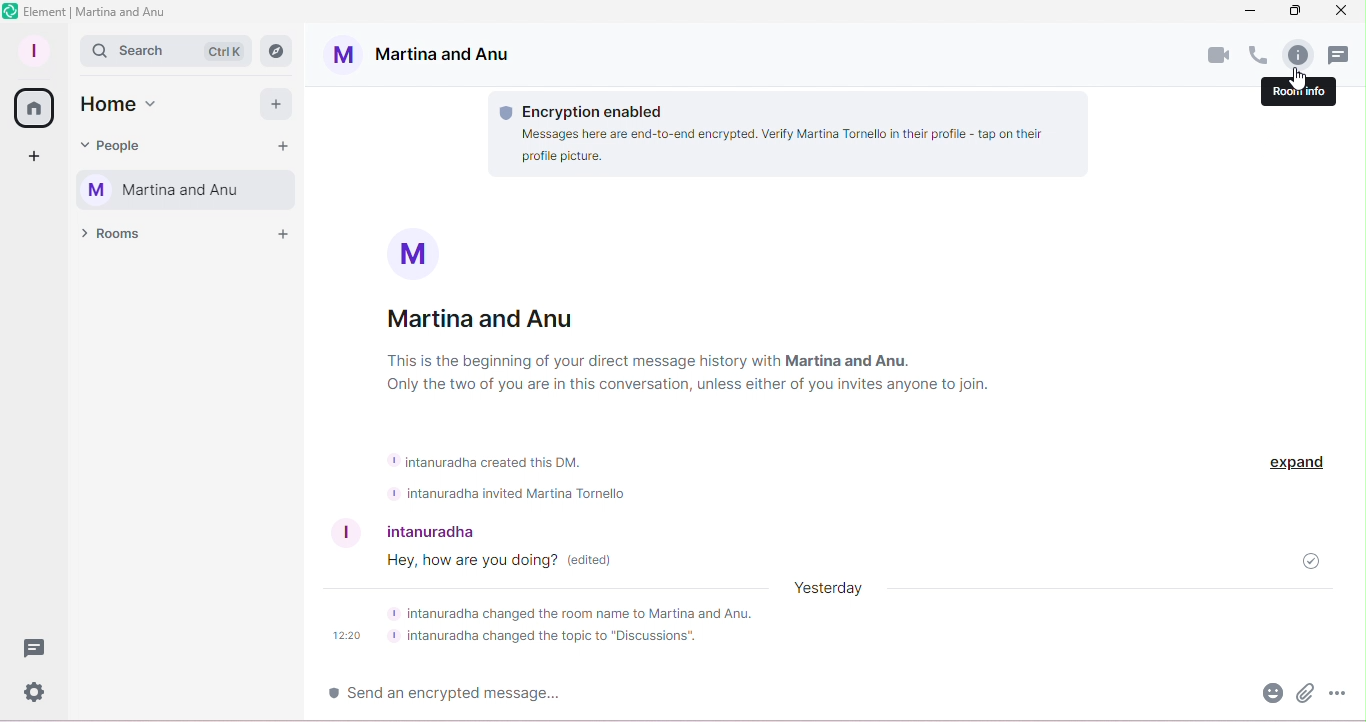  What do you see at coordinates (114, 240) in the screenshot?
I see `Rooms` at bounding box center [114, 240].